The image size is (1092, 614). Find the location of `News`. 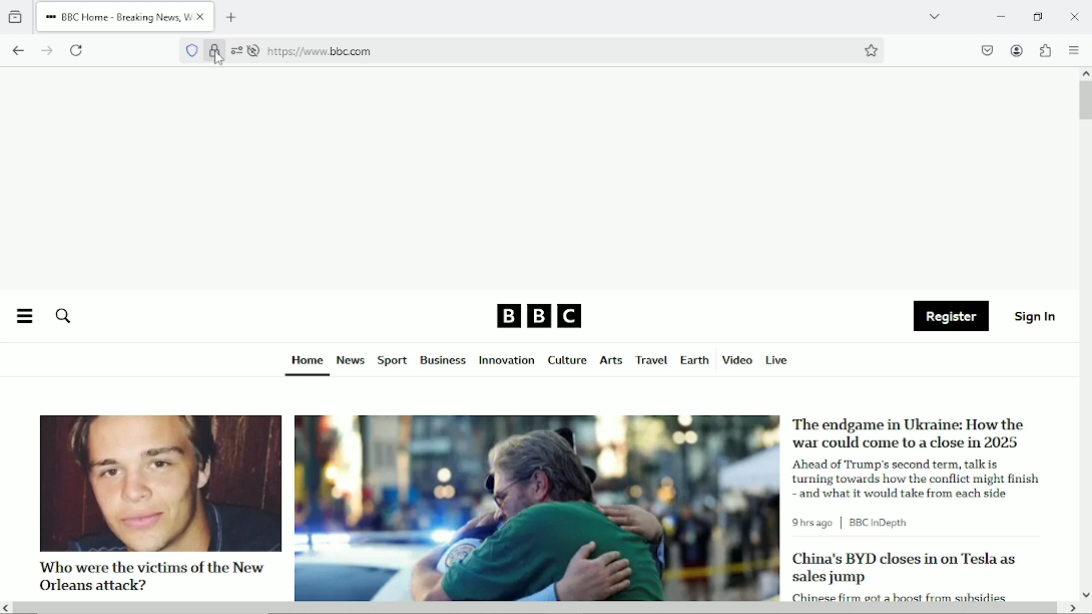

News is located at coordinates (351, 361).